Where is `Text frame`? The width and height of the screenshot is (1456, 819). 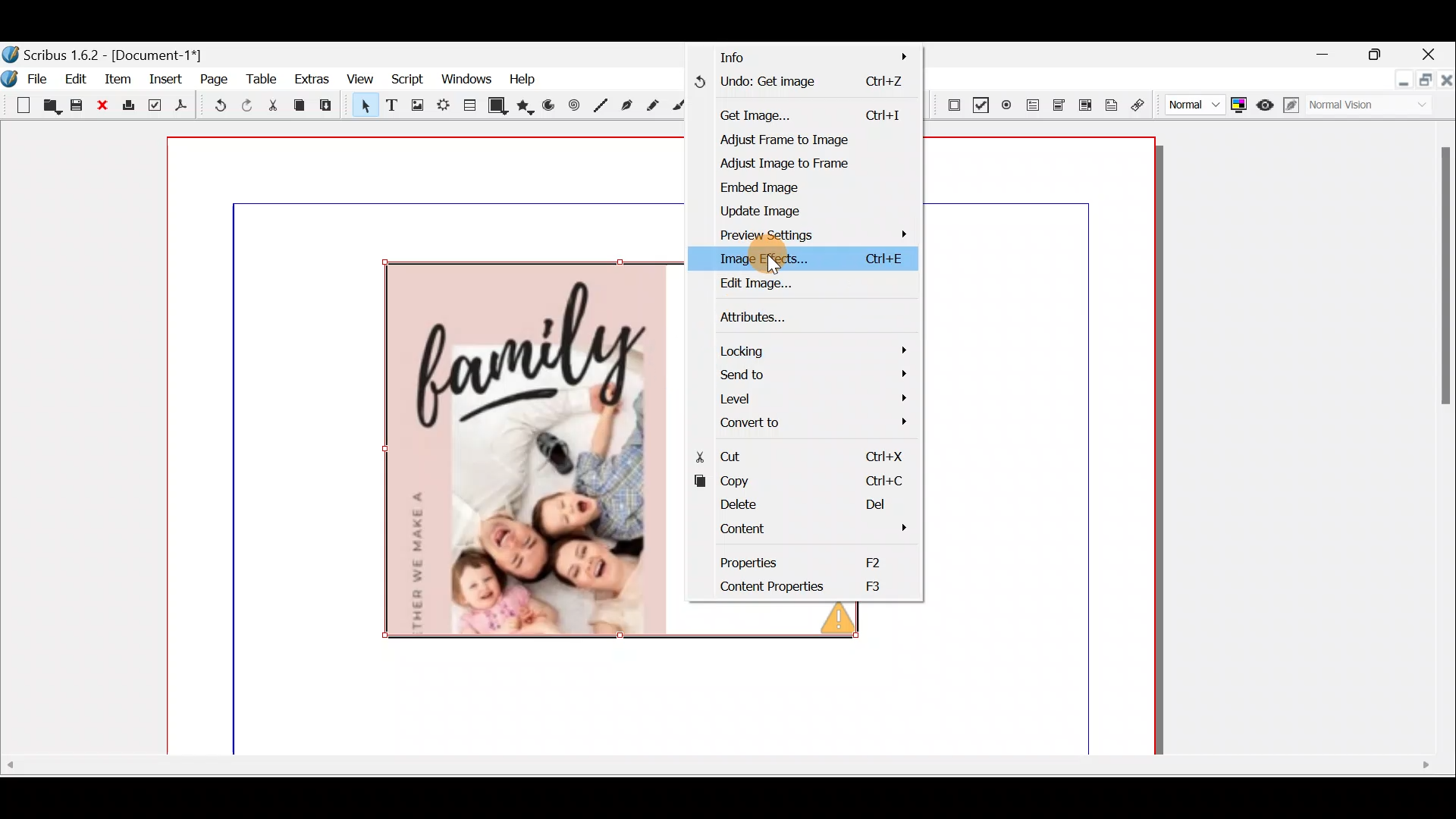
Text frame is located at coordinates (391, 106).